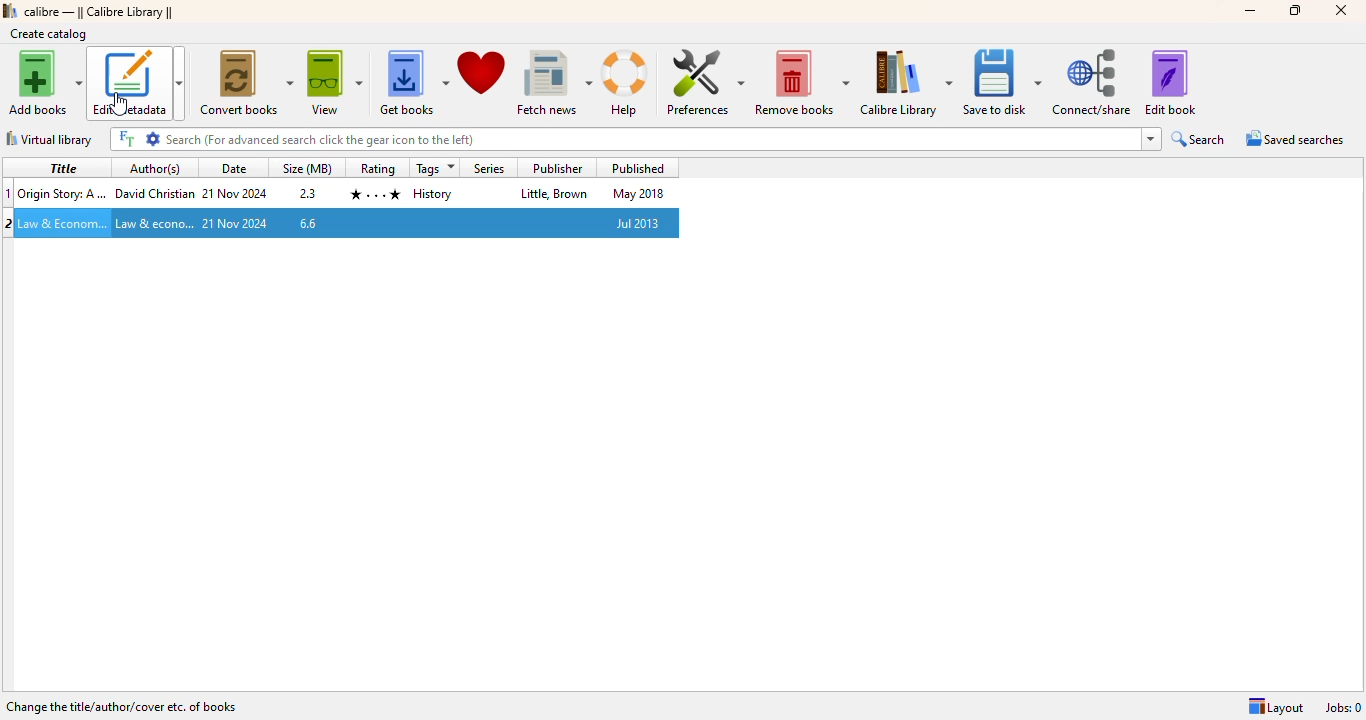  I want to click on author(s), so click(156, 168).